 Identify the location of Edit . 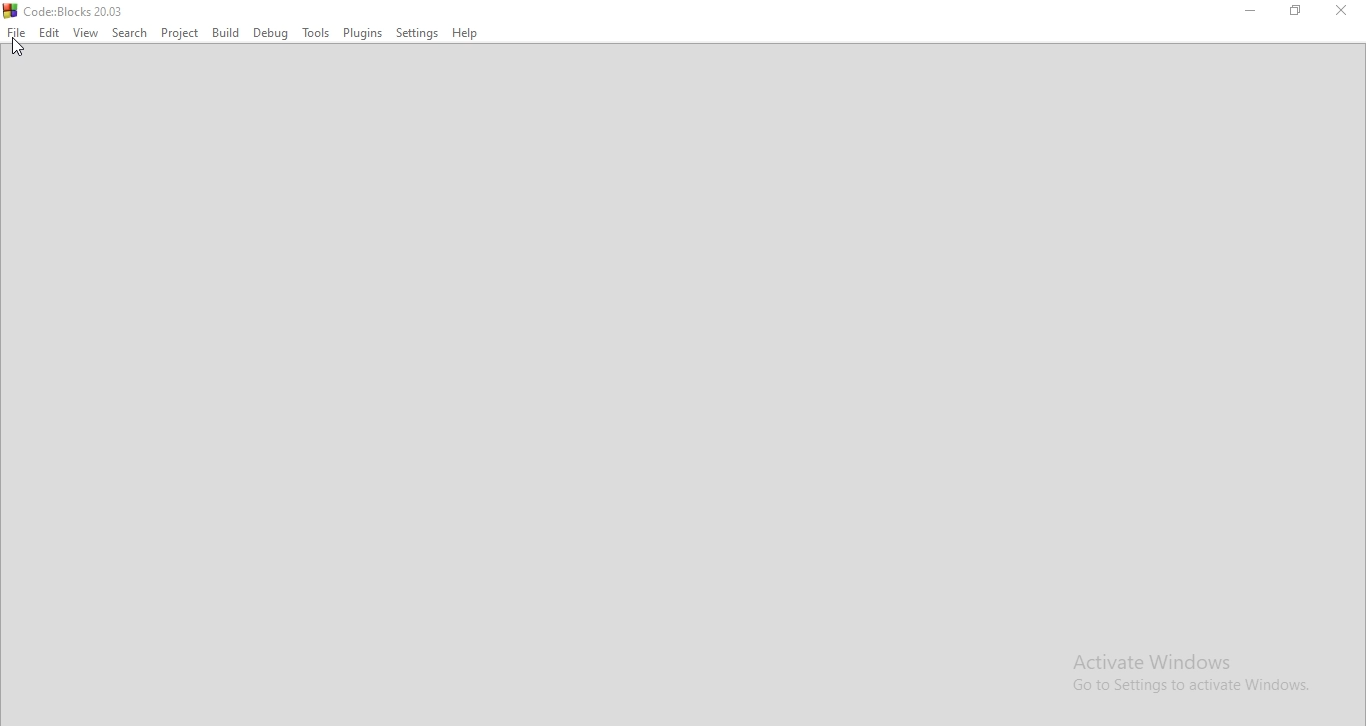
(51, 30).